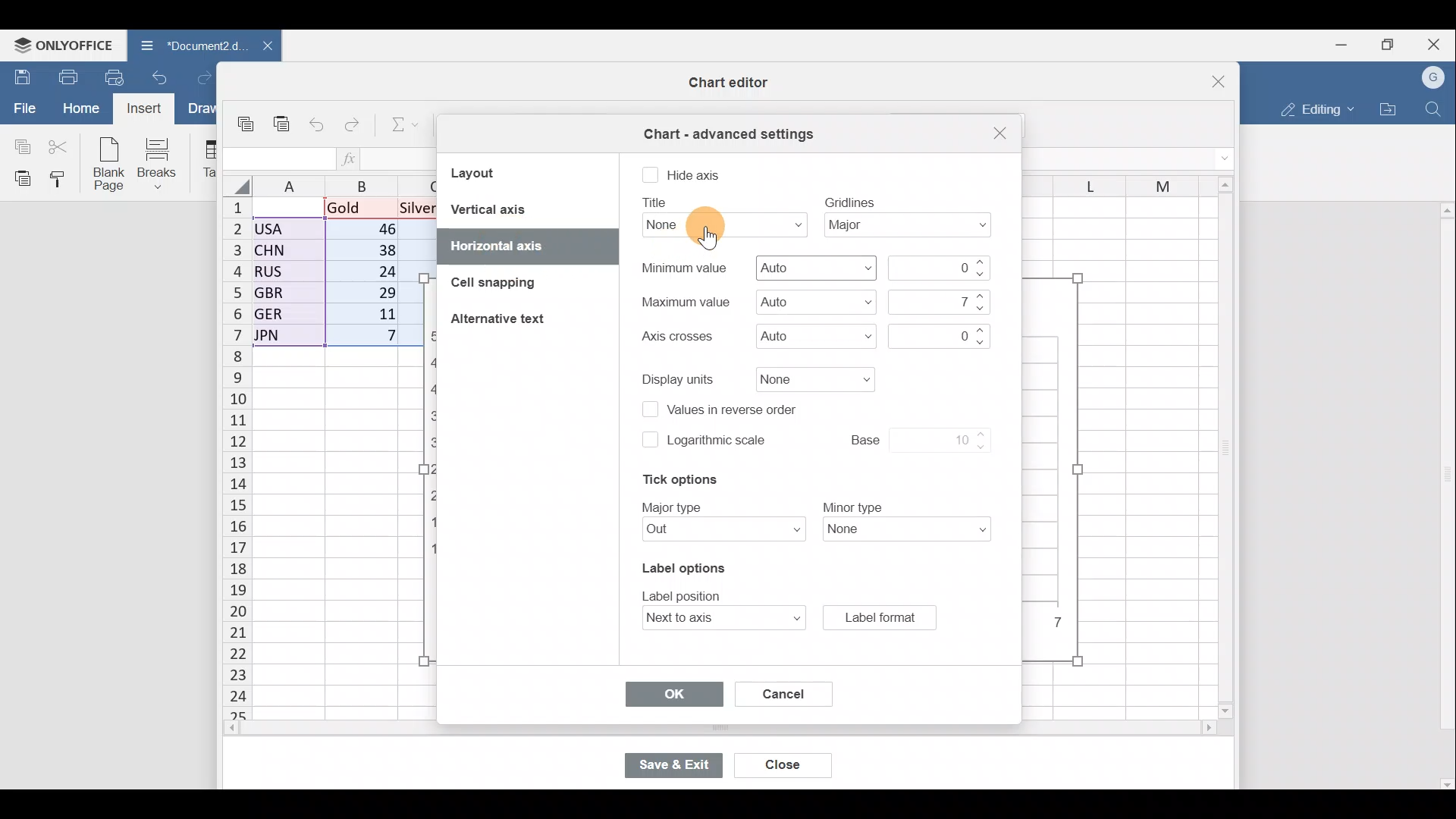 This screenshot has width=1456, height=819. What do you see at coordinates (657, 202) in the screenshot?
I see `text` at bounding box center [657, 202].